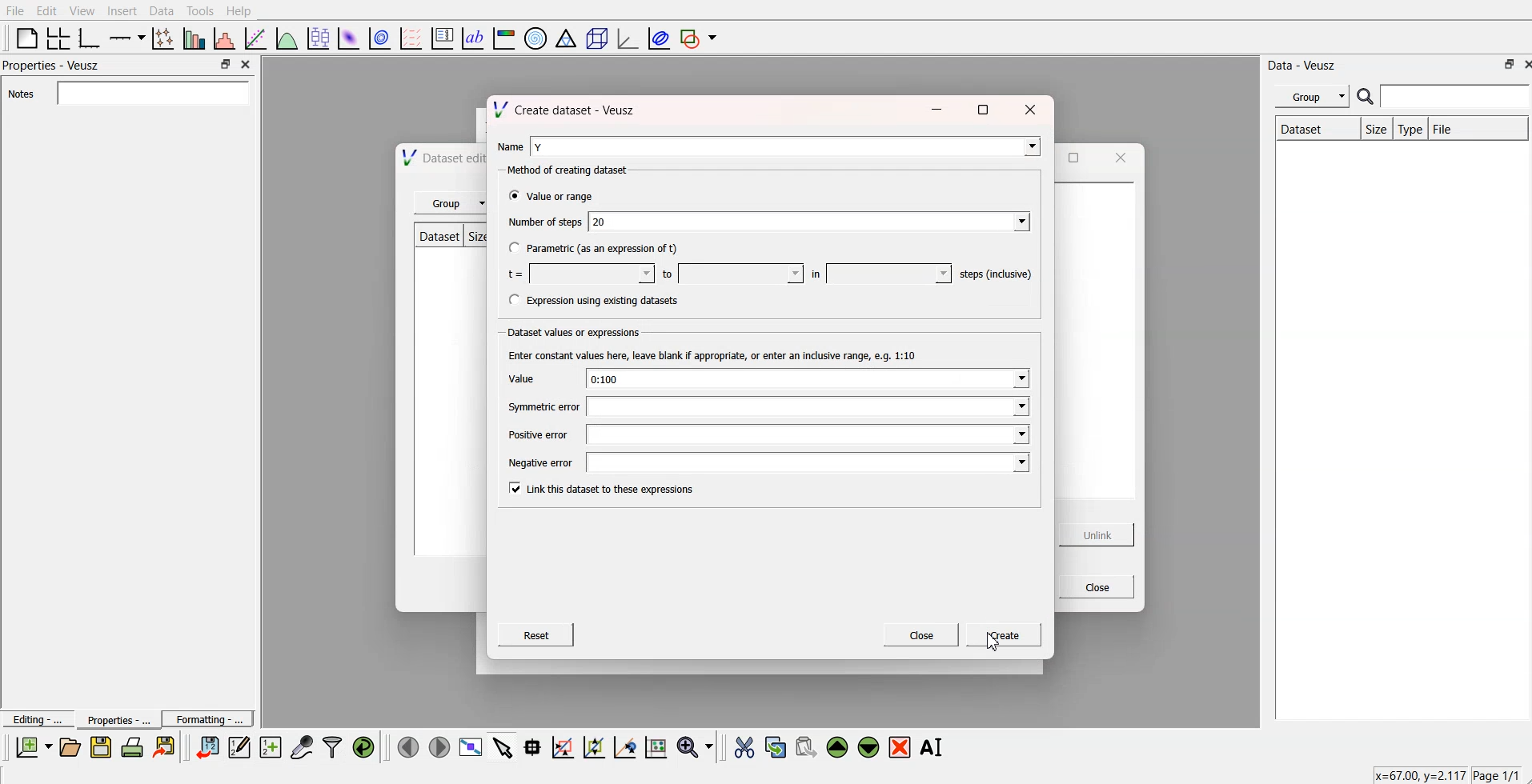  Describe the element at coordinates (82, 10) in the screenshot. I see `View` at that location.